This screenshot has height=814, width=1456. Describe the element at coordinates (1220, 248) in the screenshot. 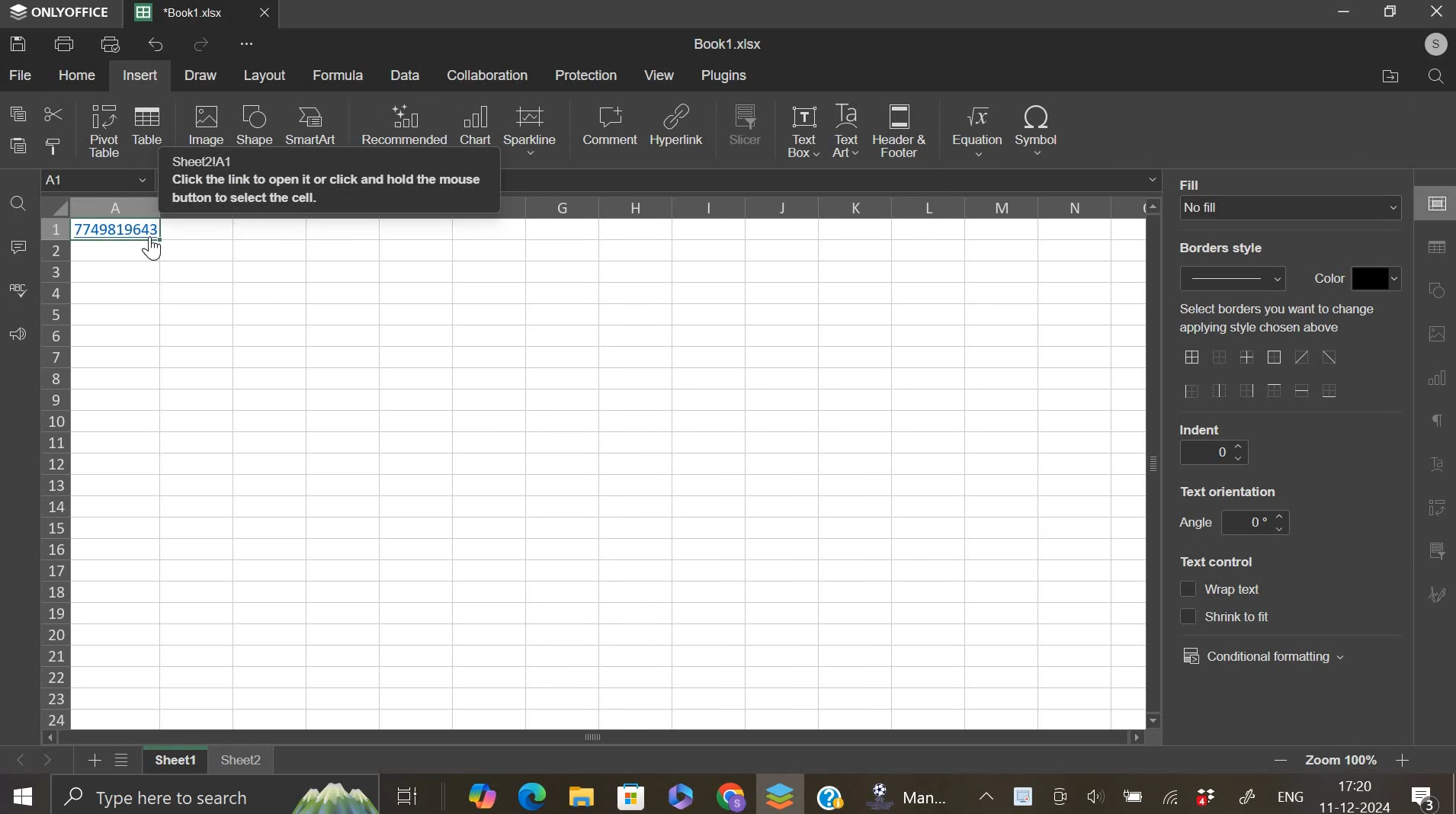

I see `text` at that location.